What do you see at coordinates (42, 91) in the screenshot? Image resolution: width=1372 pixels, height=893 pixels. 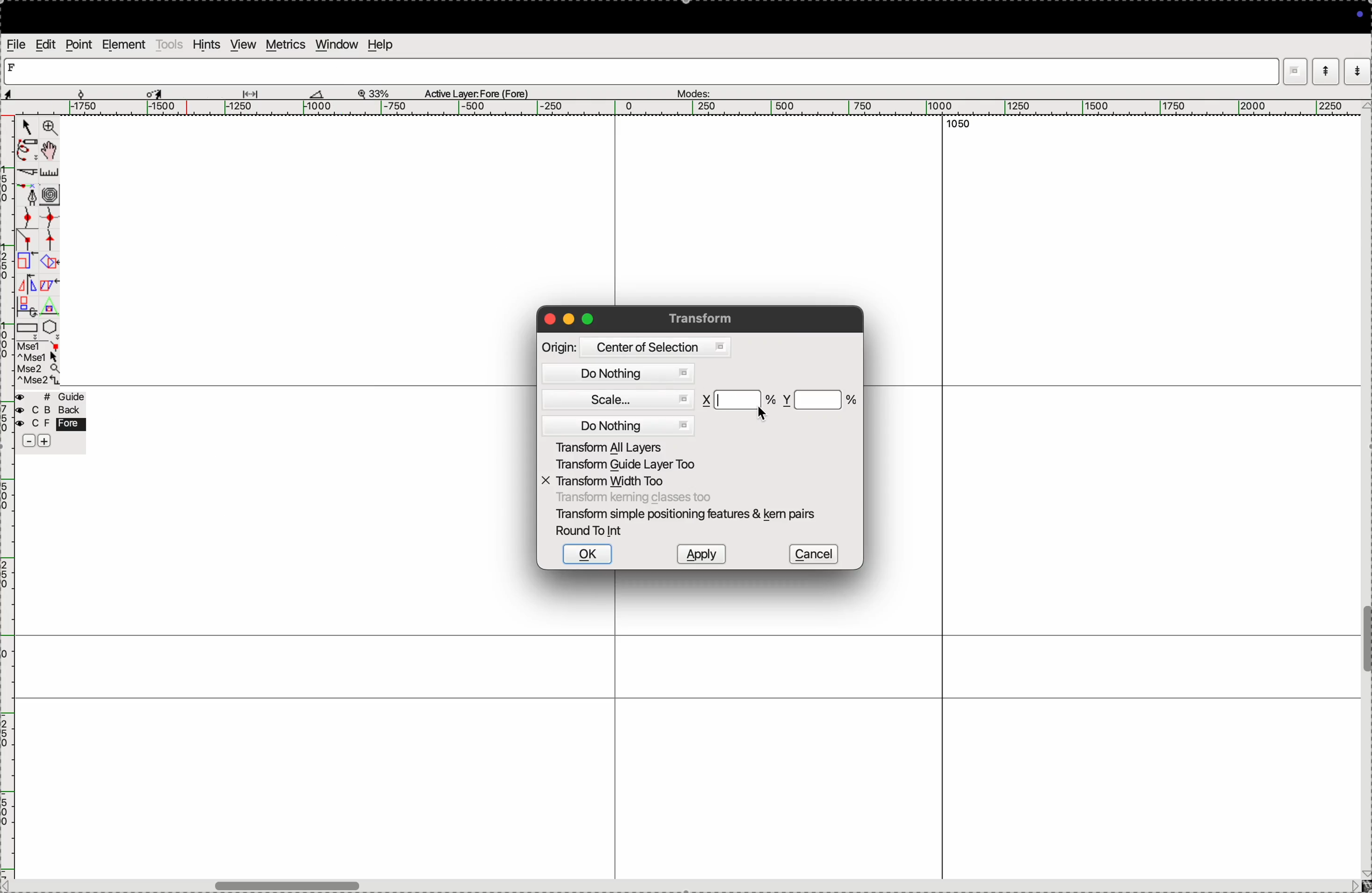 I see `aspects` at bounding box center [42, 91].